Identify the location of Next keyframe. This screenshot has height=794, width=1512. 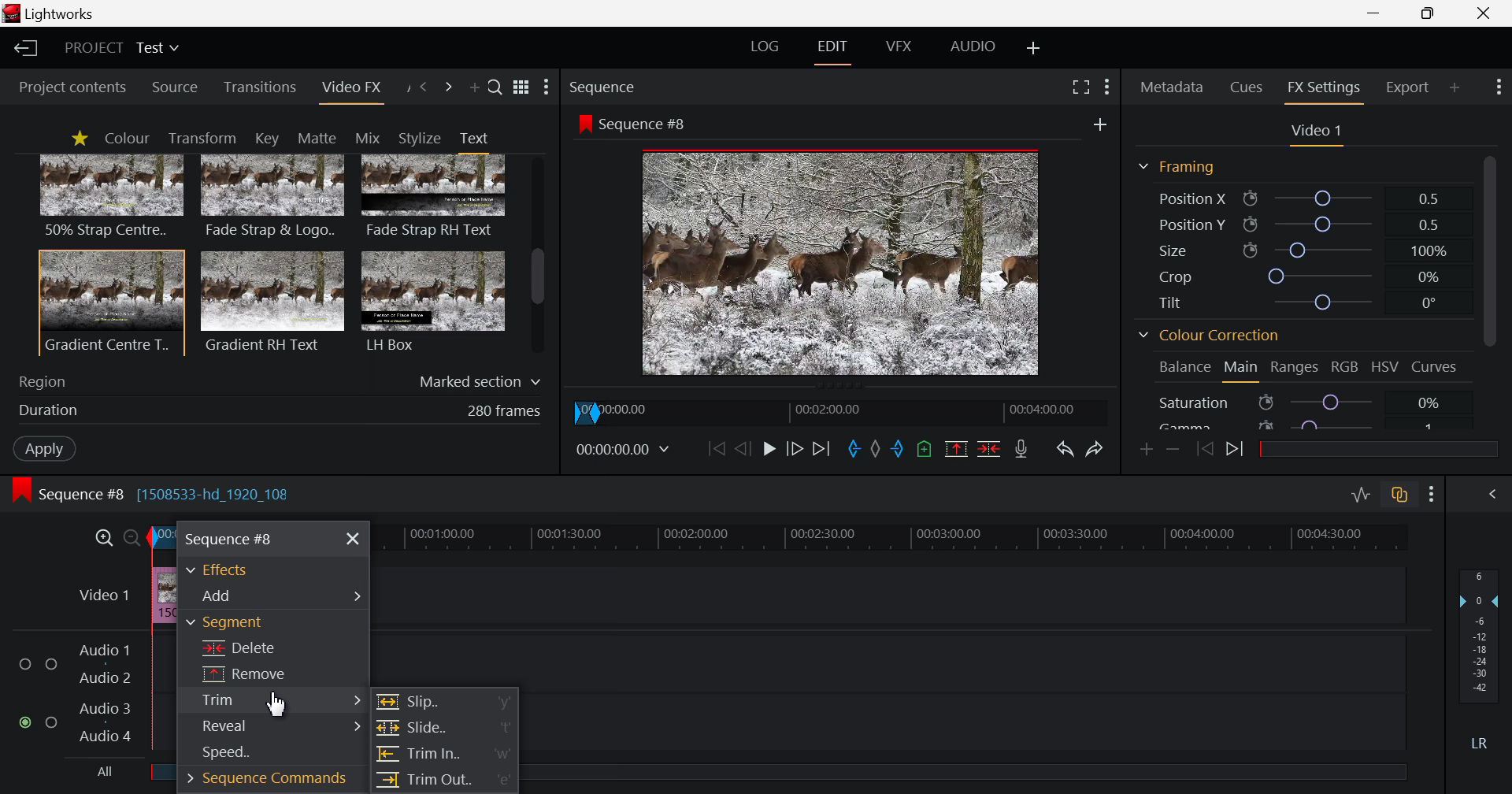
(1237, 450).